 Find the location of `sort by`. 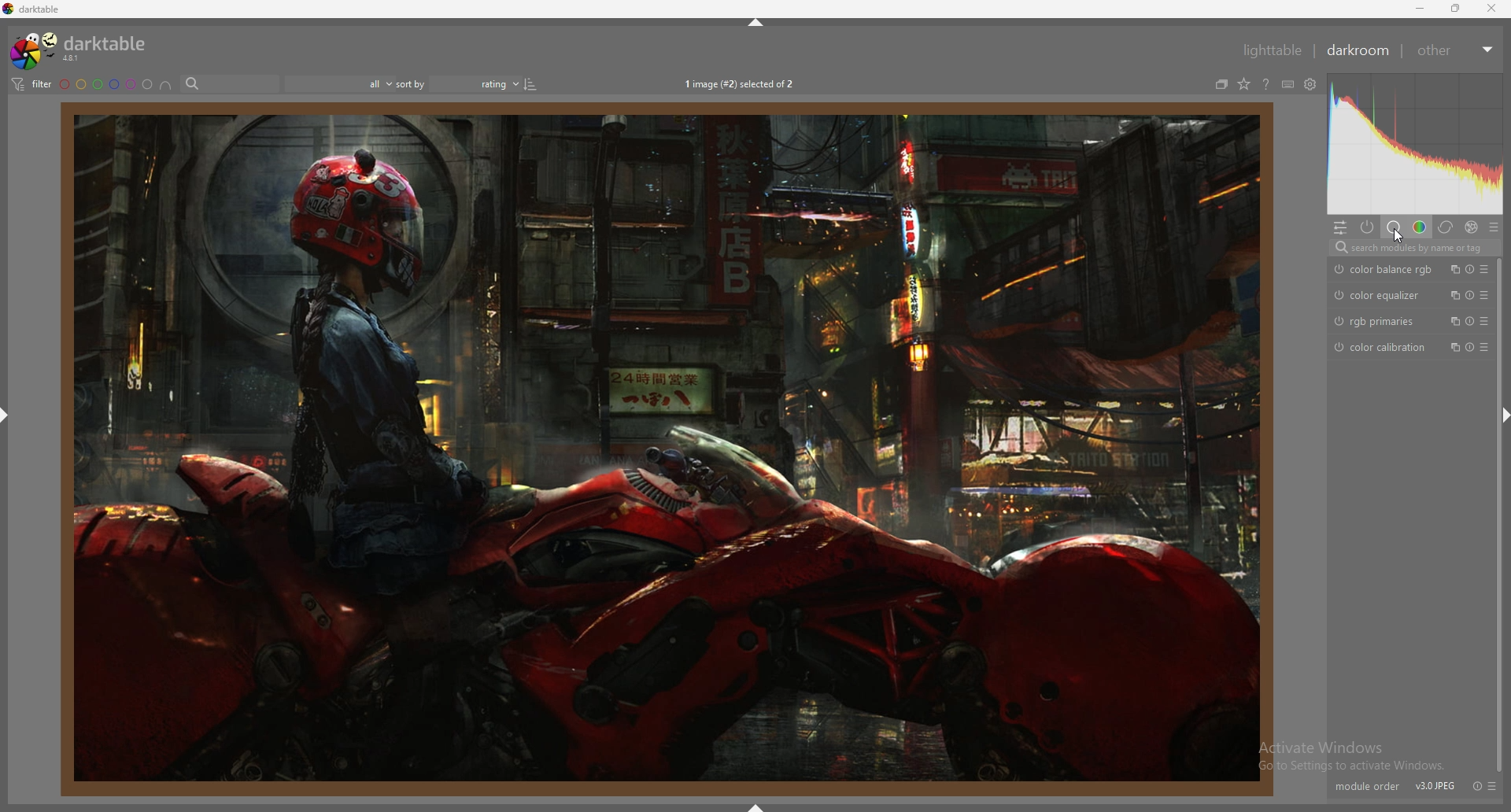

sort by is located at coordinates (412, 83).